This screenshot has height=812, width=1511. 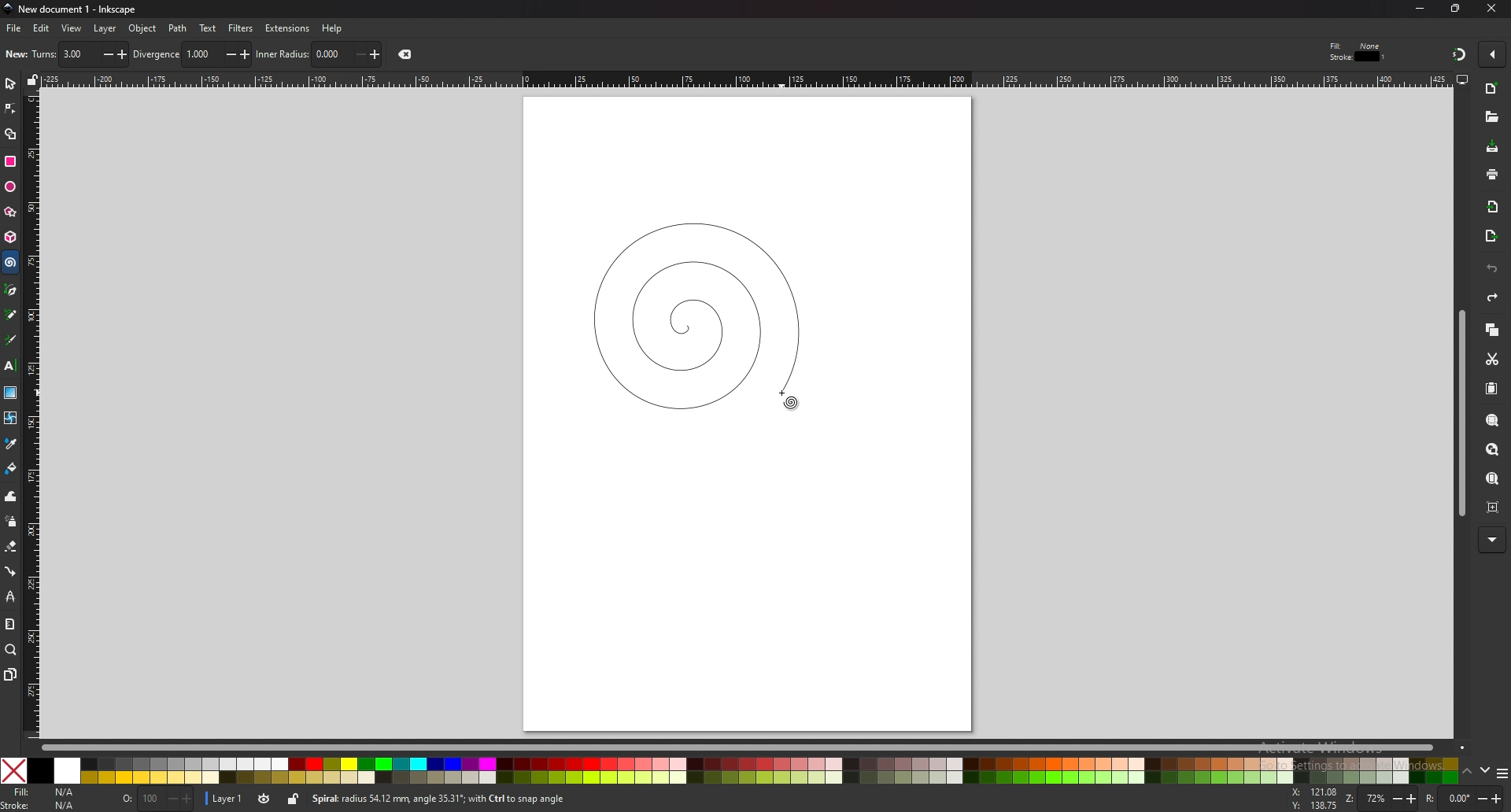 What do you see at coordinates (1358, 57) in the screenshot?
I see `Stroke: 1` at bounding box center [1358, 57].